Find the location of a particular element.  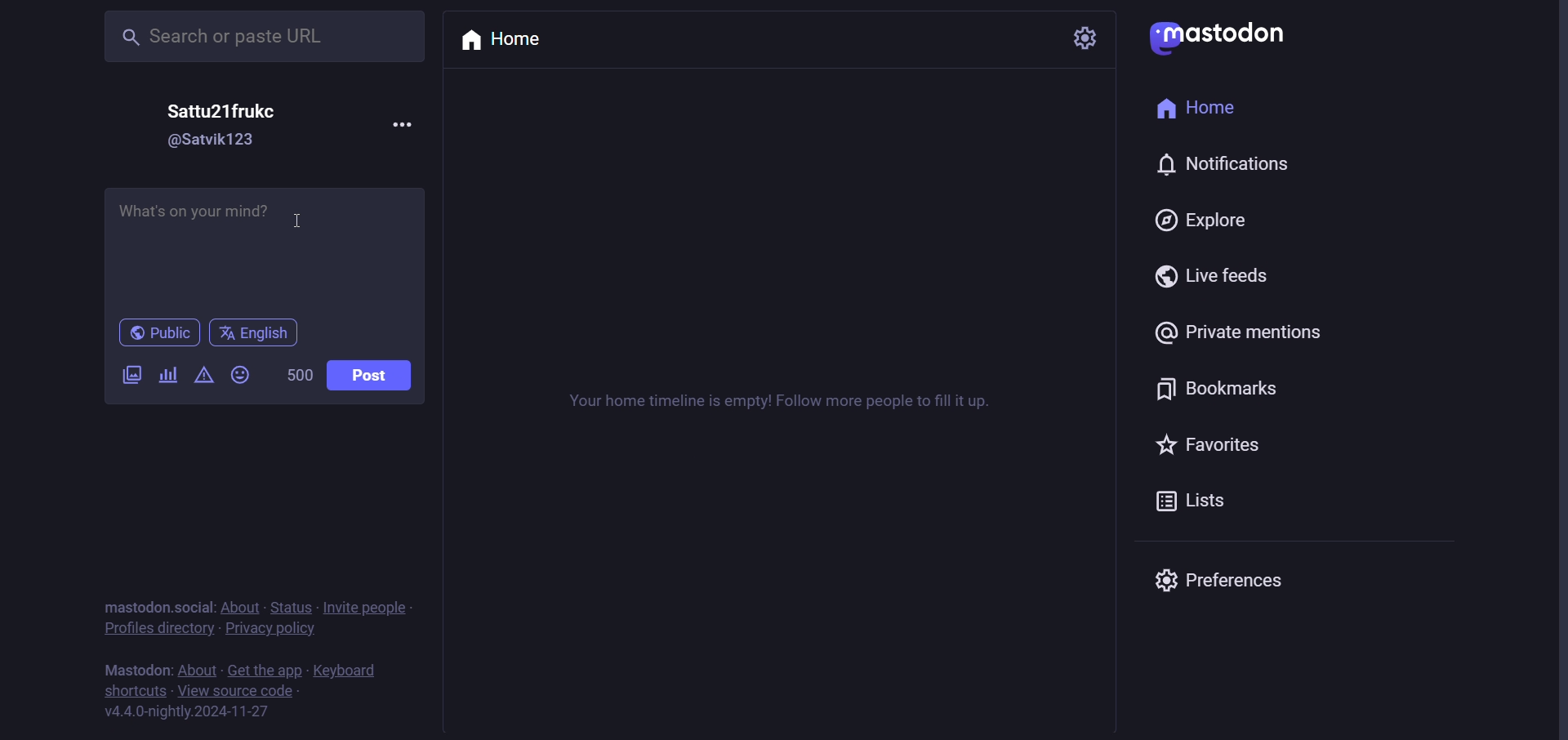

@Satvik123 is located at coordinates (210, 140).